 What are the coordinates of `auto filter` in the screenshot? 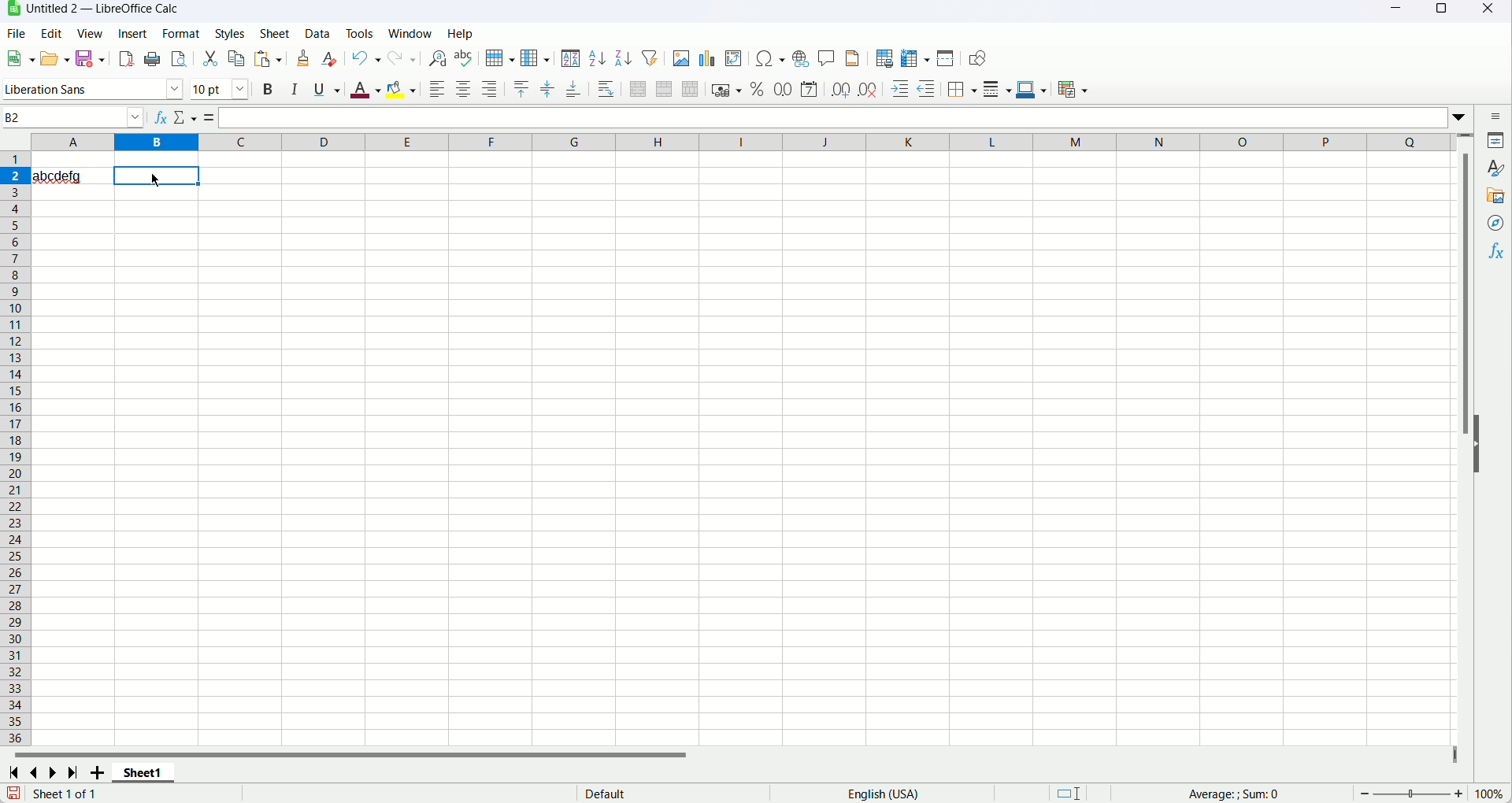 It's located at (650, 58).